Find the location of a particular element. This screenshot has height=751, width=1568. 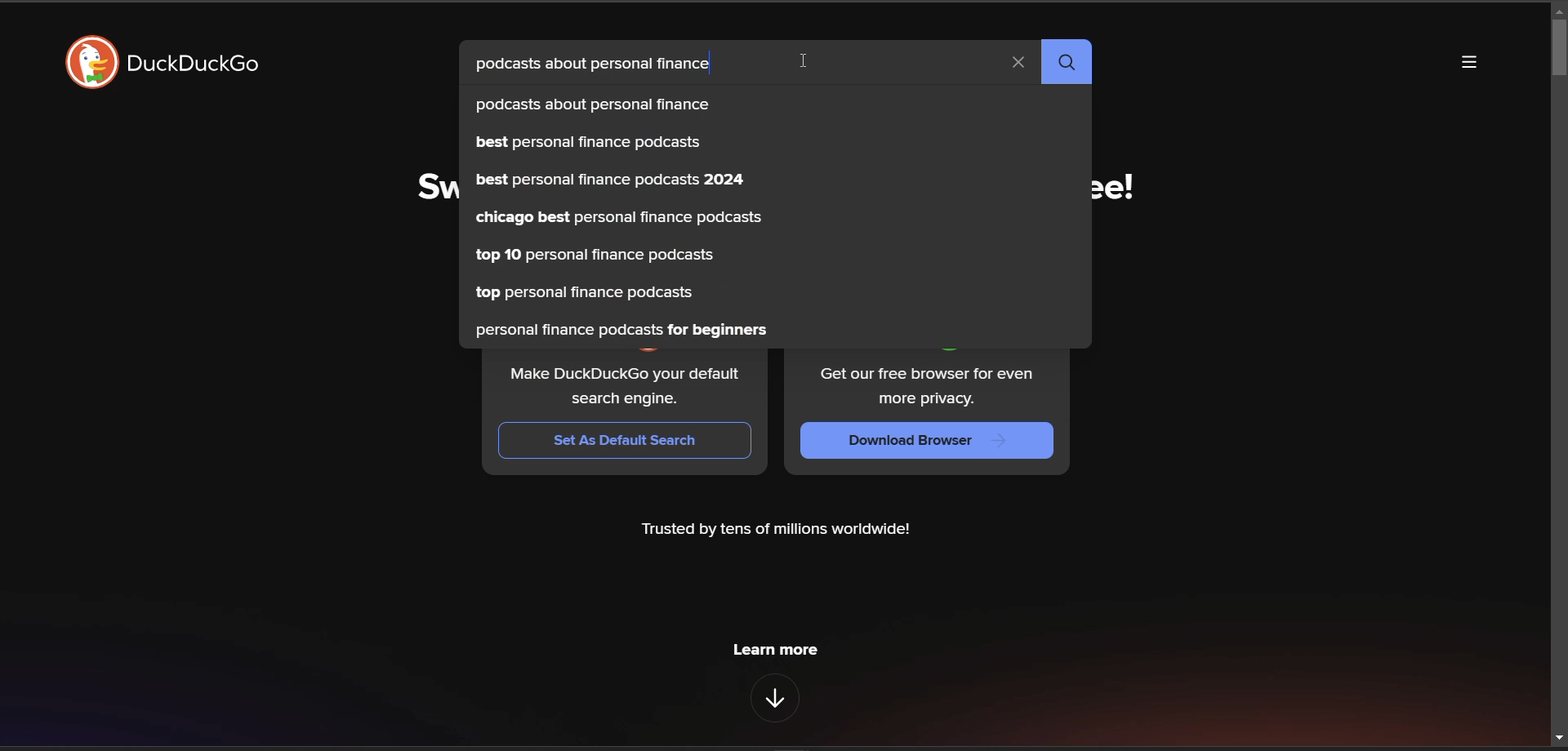

top 10 personal finance podcasts is located at coordinates (592, 256).